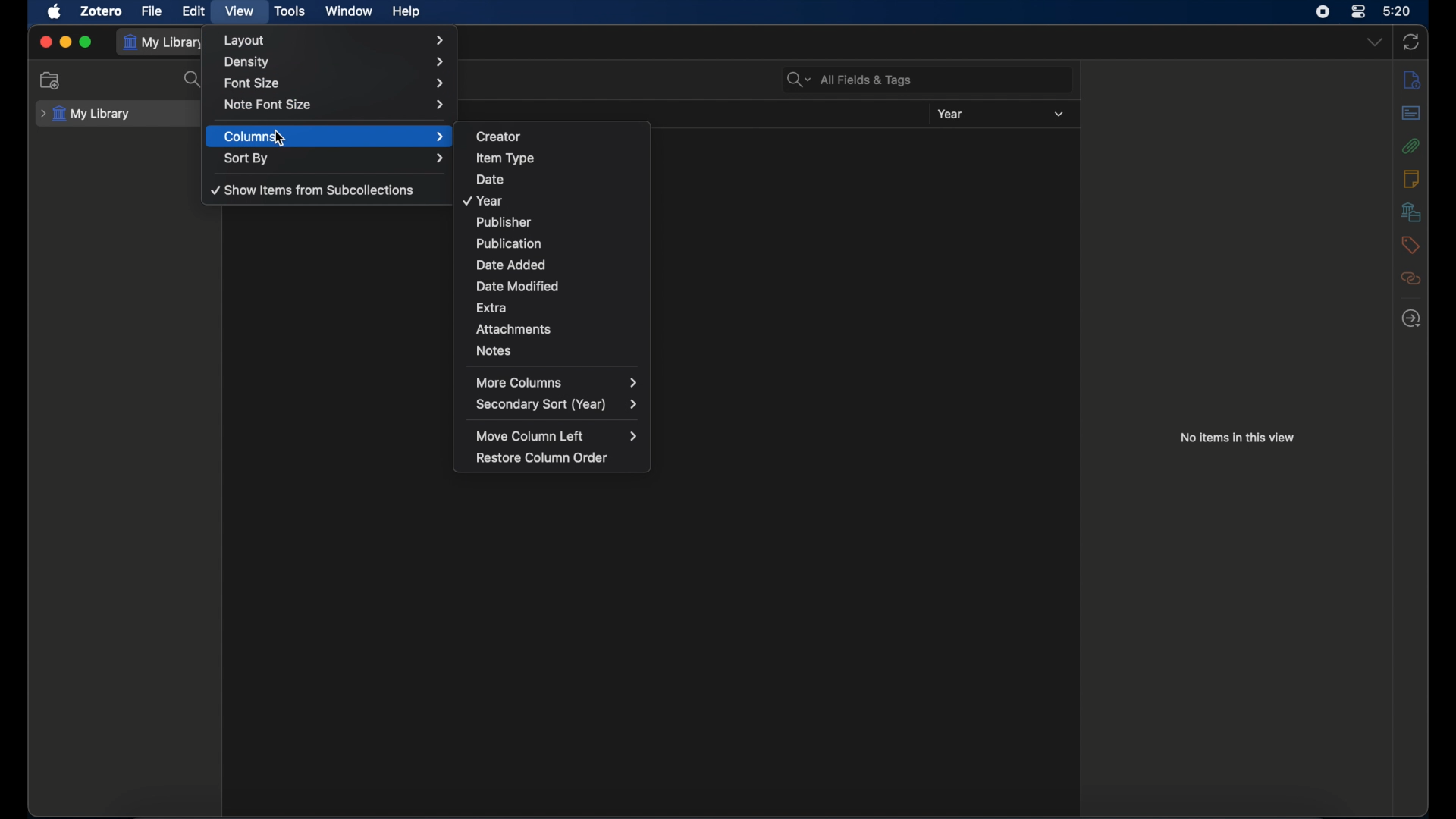 The width and height of the screenshot is (1456, 819). What do you see at coordinates (290, 11) in the screenshot?
I see `tools` at bounding box center [290, 11].